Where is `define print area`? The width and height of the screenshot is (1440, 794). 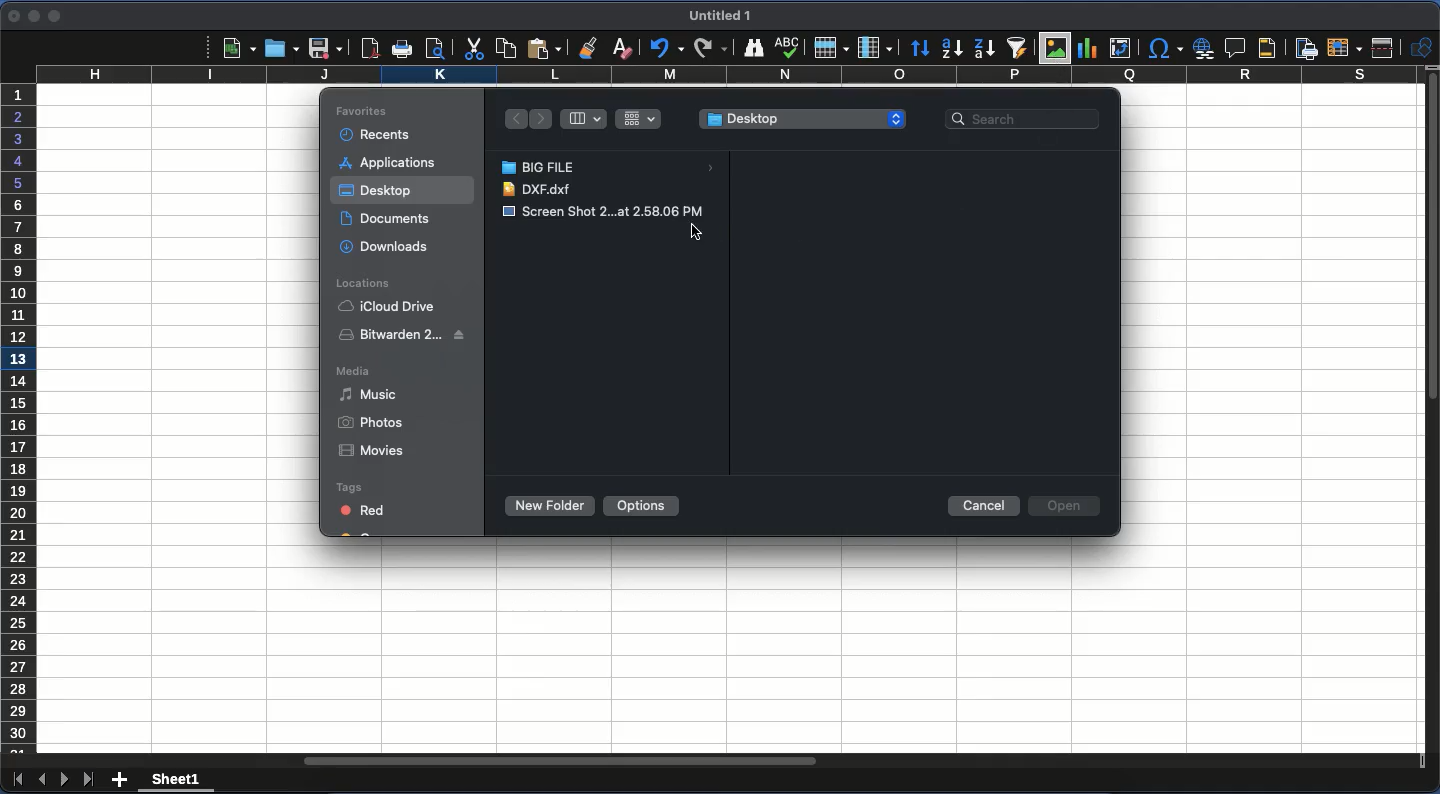
define print area is located at coordinates (1305, 49).